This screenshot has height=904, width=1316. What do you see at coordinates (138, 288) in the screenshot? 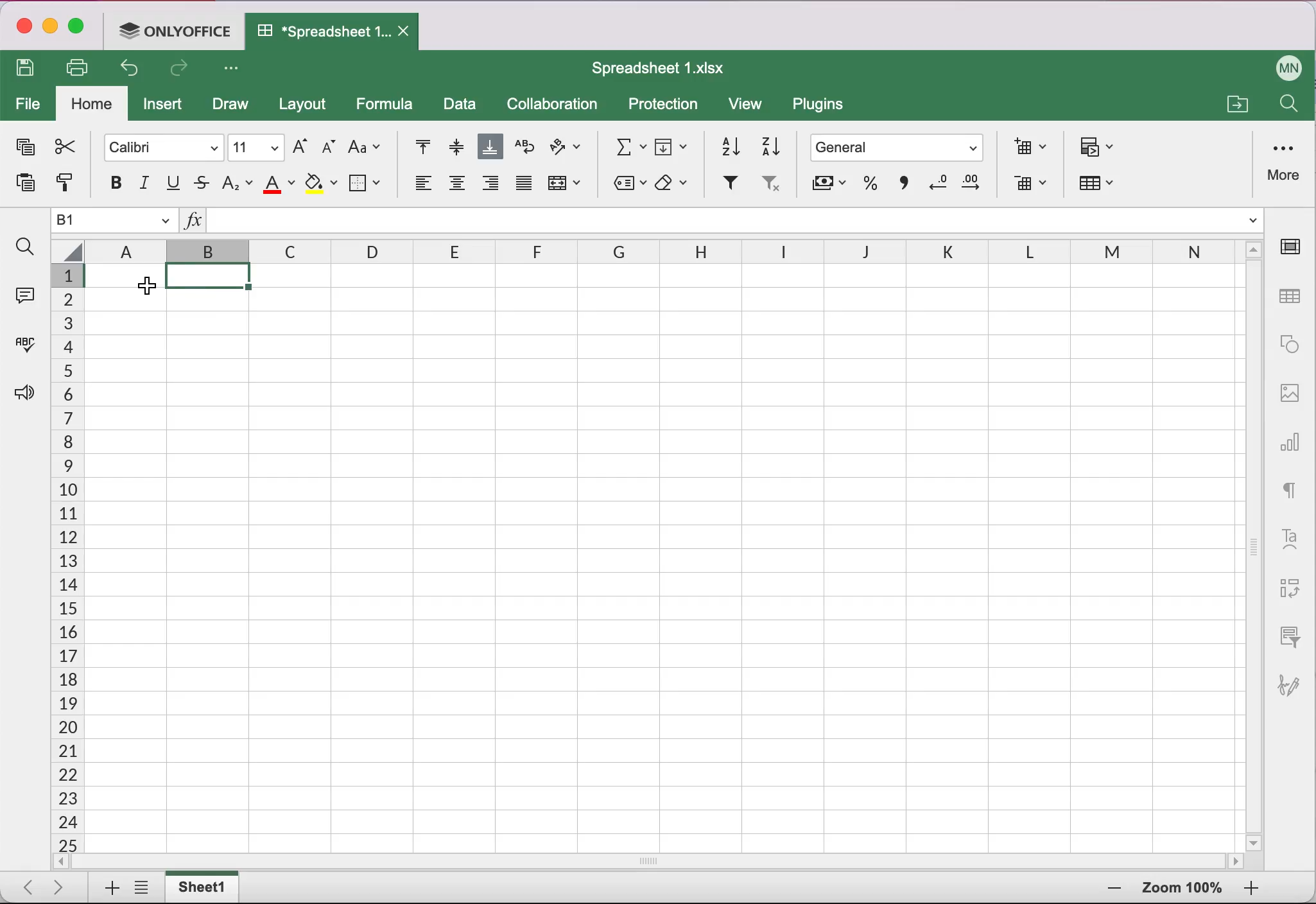
I see `Cursor` at bounding box center [138, 288].